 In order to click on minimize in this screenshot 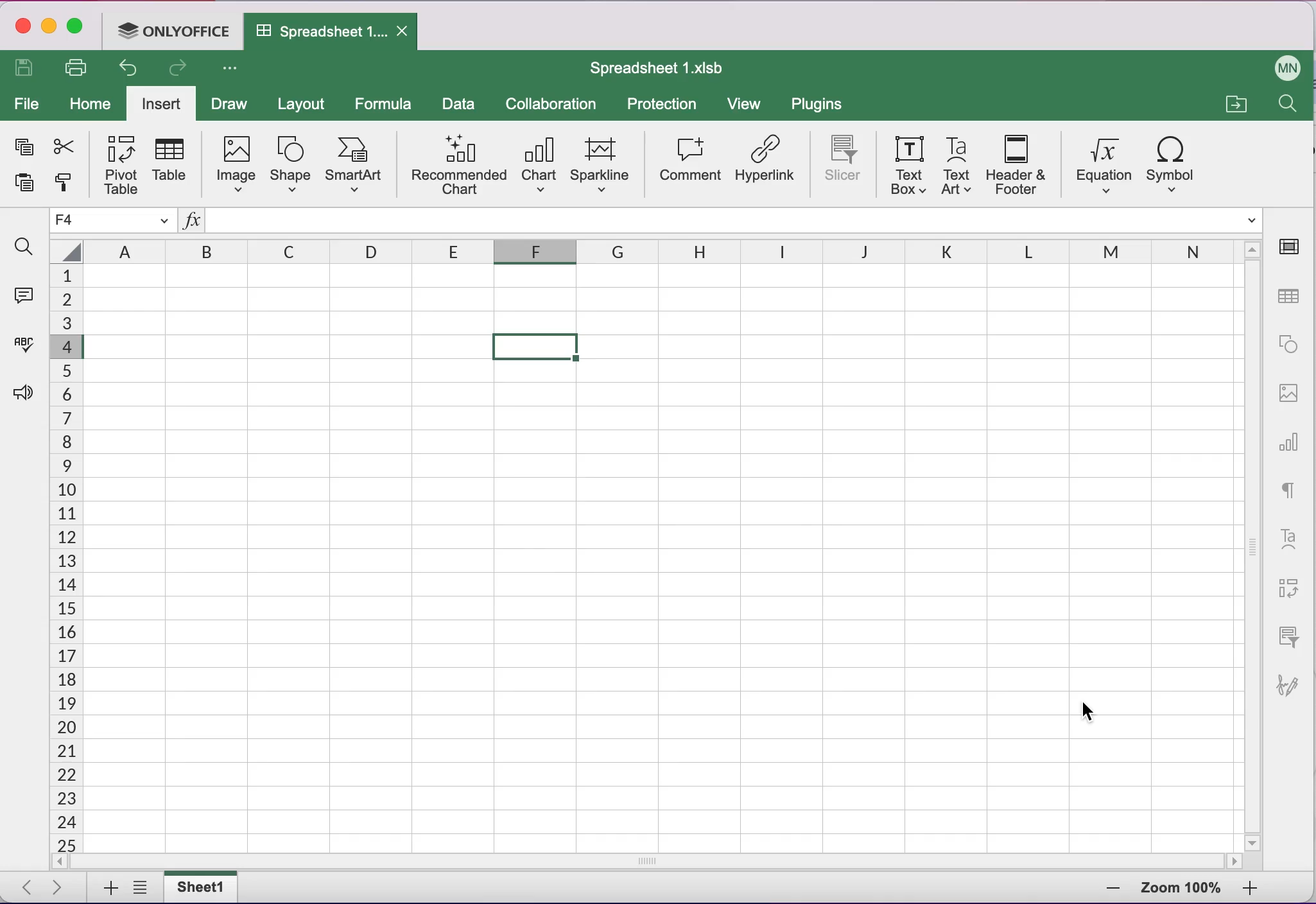, I will do `click(49, 27)`.